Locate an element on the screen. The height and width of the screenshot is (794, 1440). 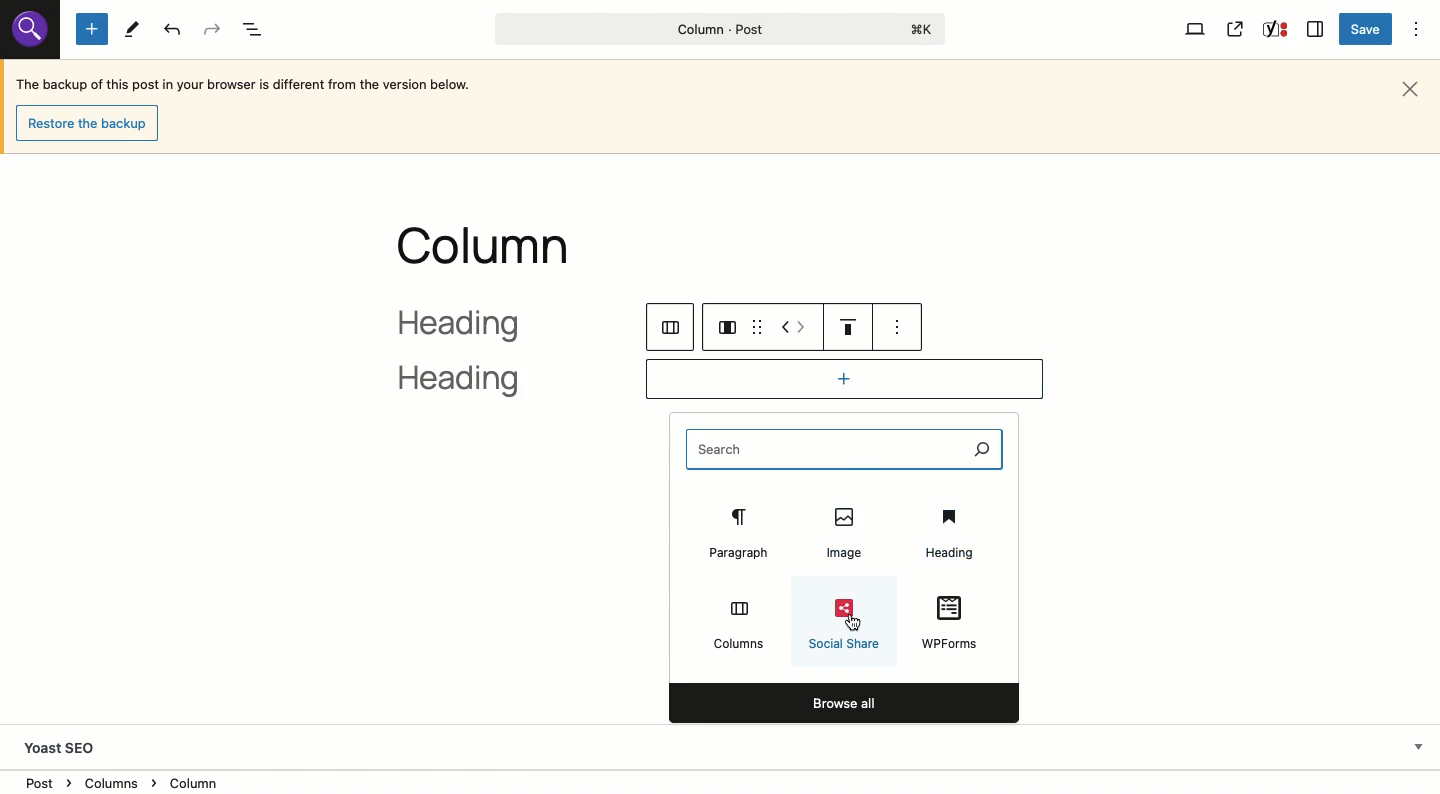
Sidebar is located at coordinates (1316, 27).